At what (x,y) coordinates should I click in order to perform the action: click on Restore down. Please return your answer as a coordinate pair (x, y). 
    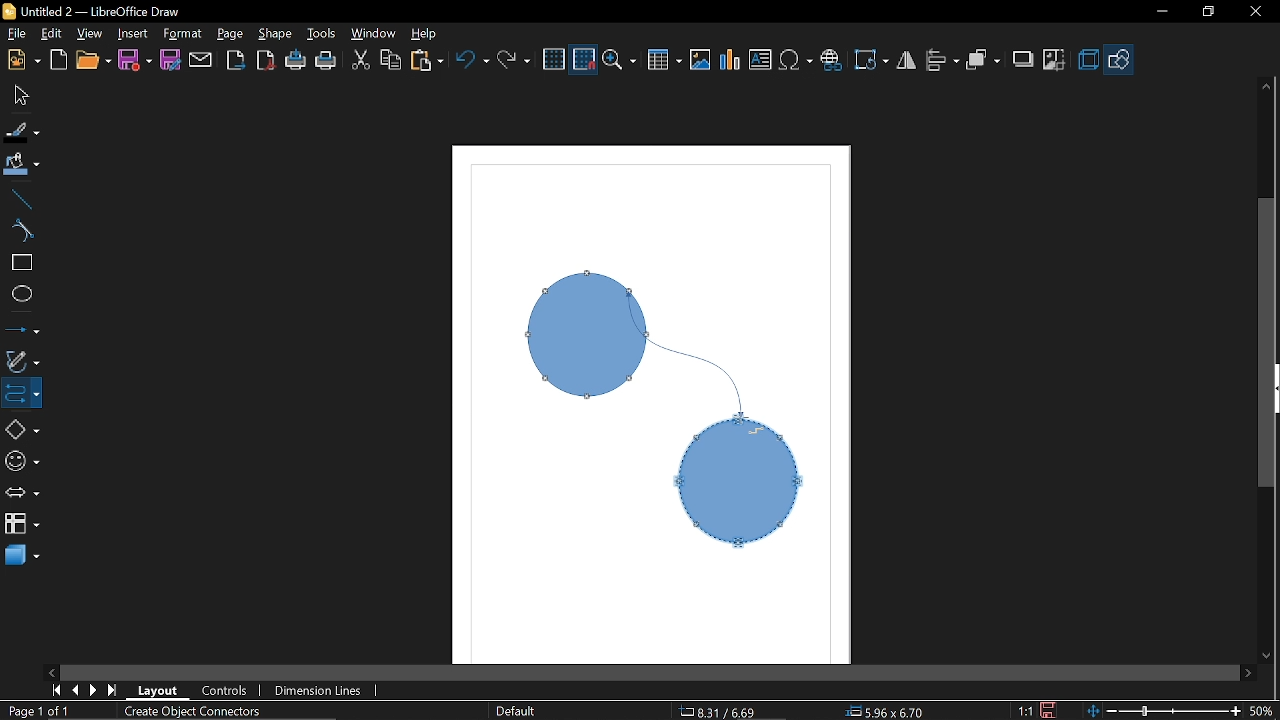
    Looking at the image, I should click on (1206, 14).